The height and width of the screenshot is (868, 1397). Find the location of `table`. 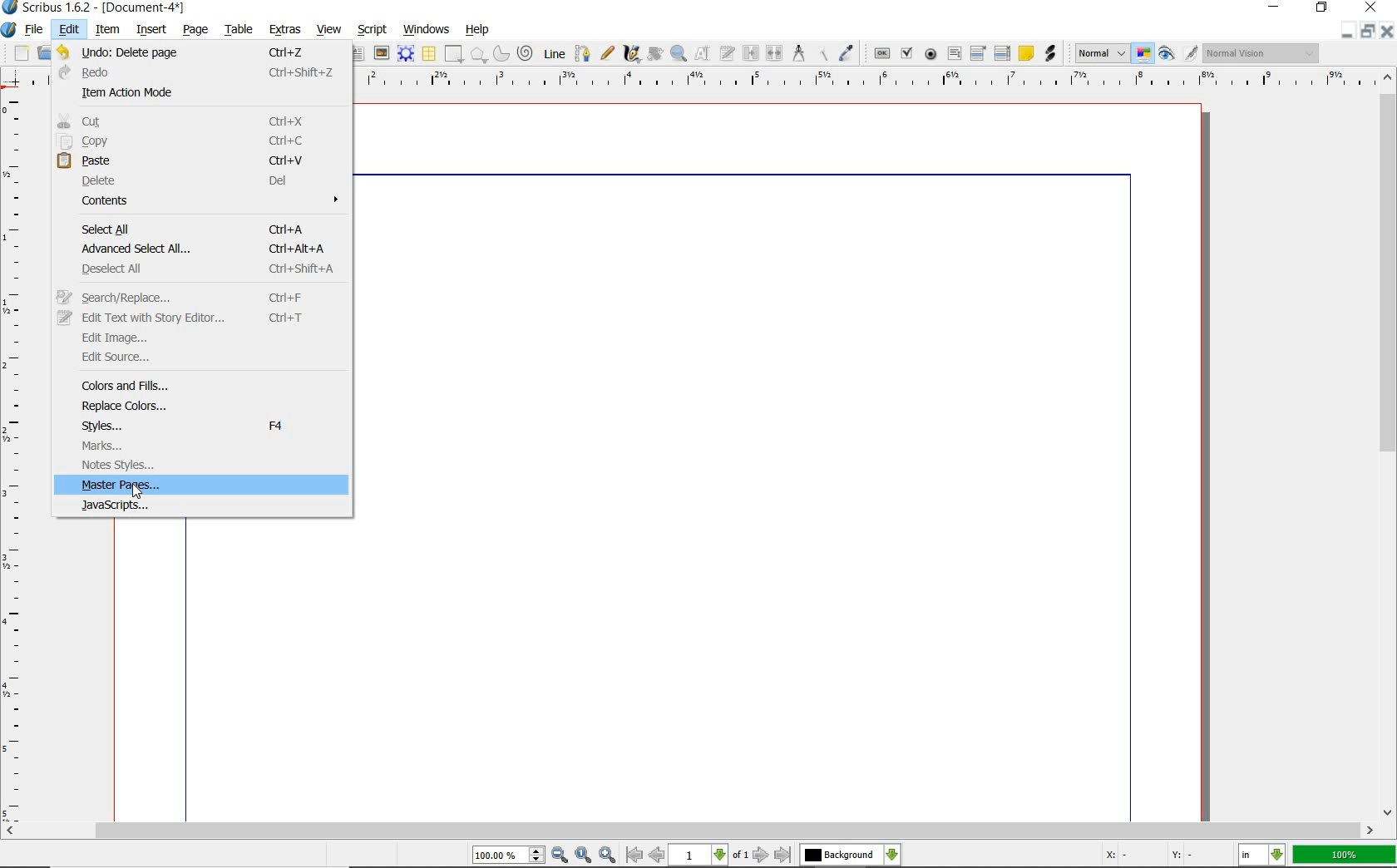

table is located at coordinates (236, 29).